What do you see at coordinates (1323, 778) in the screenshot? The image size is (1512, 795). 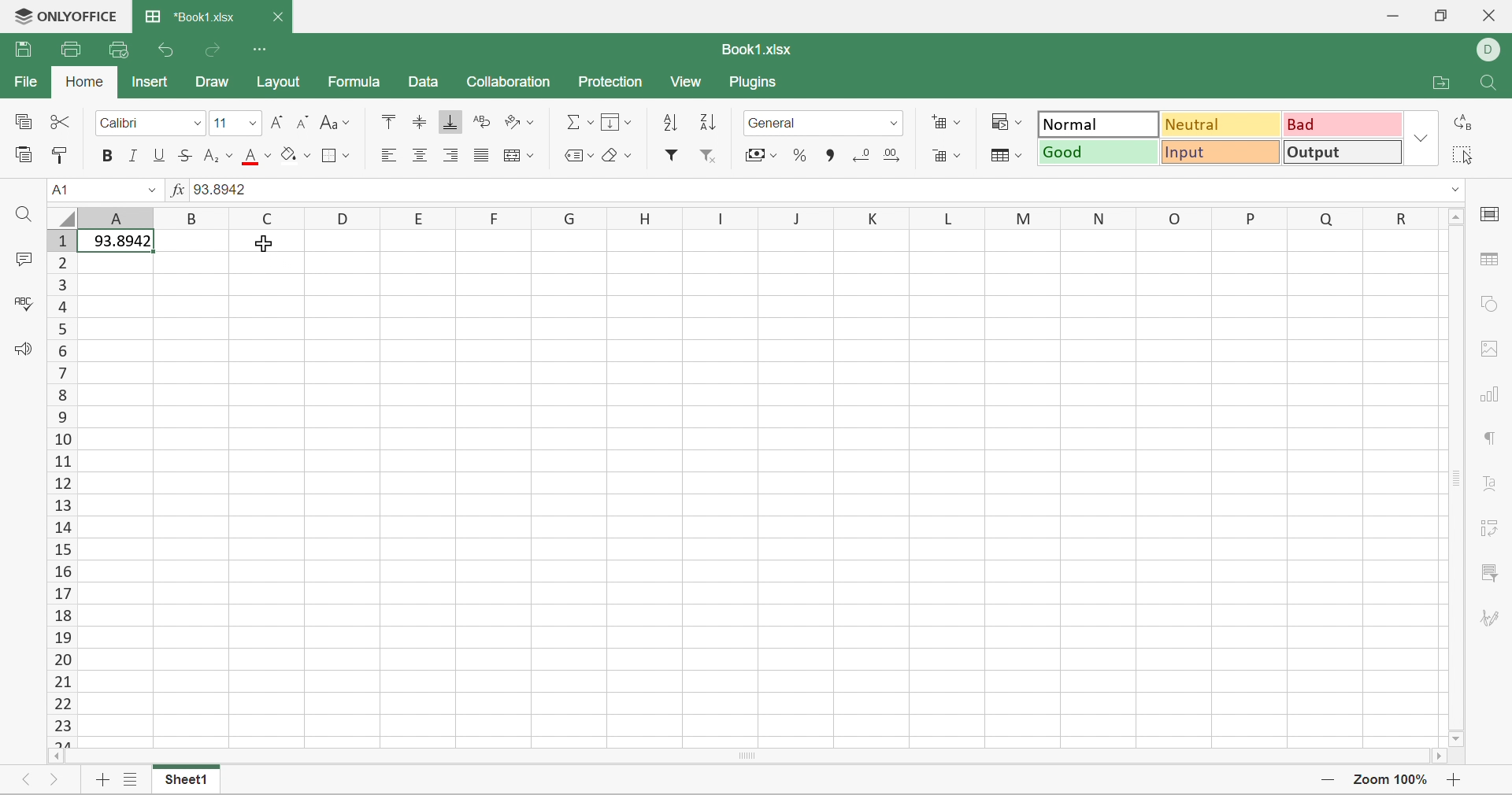 I see `Zoom out` at bounding box center [1323, 778].